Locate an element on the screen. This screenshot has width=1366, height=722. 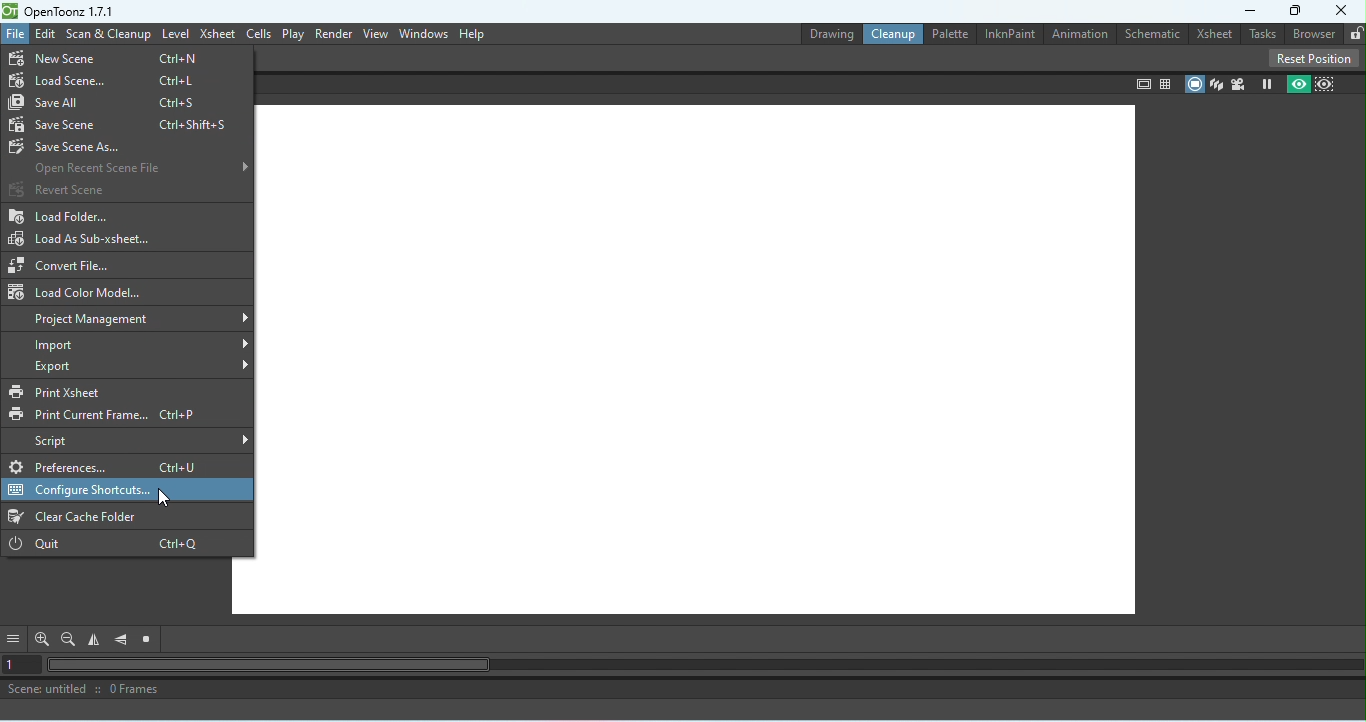
Xsheet is located at coordinates (1213, 32).